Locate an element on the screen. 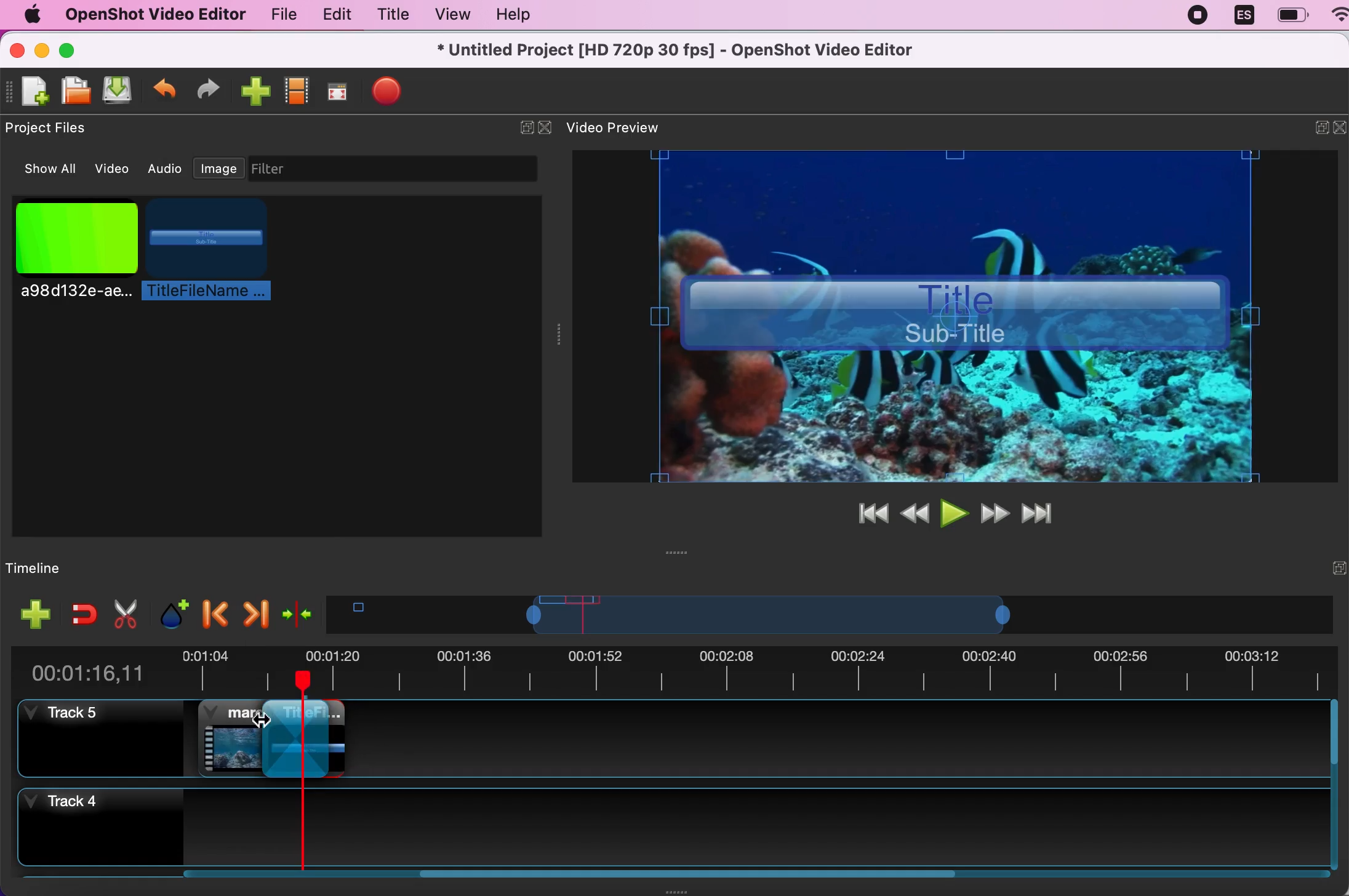 The width and height of the screenshot is (1349, 896). export file is located at coordinates (396, 94).